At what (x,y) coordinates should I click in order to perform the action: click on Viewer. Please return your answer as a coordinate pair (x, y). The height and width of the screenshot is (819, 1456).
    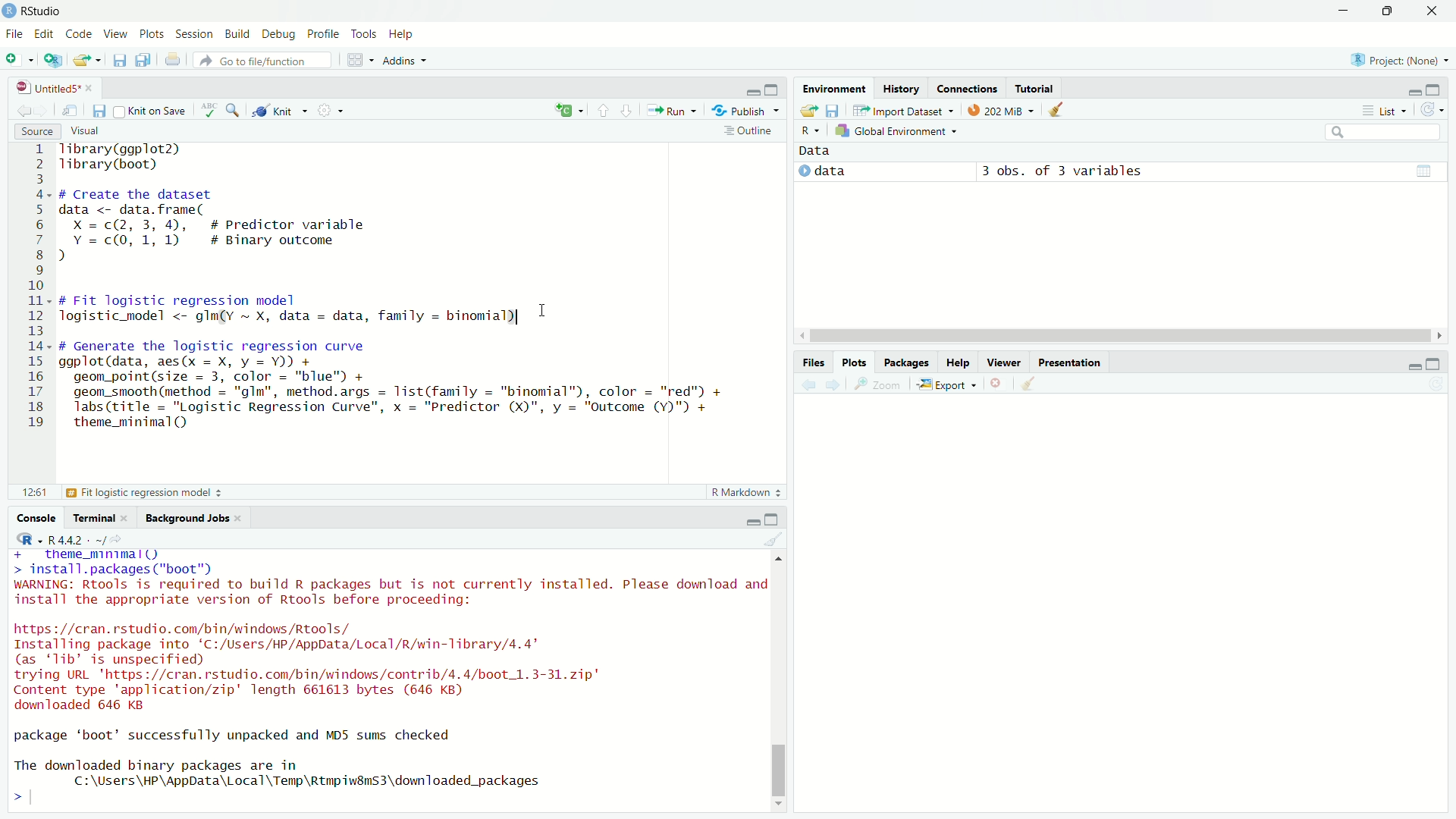
    Looking at the image, I should click on (1004, 361).